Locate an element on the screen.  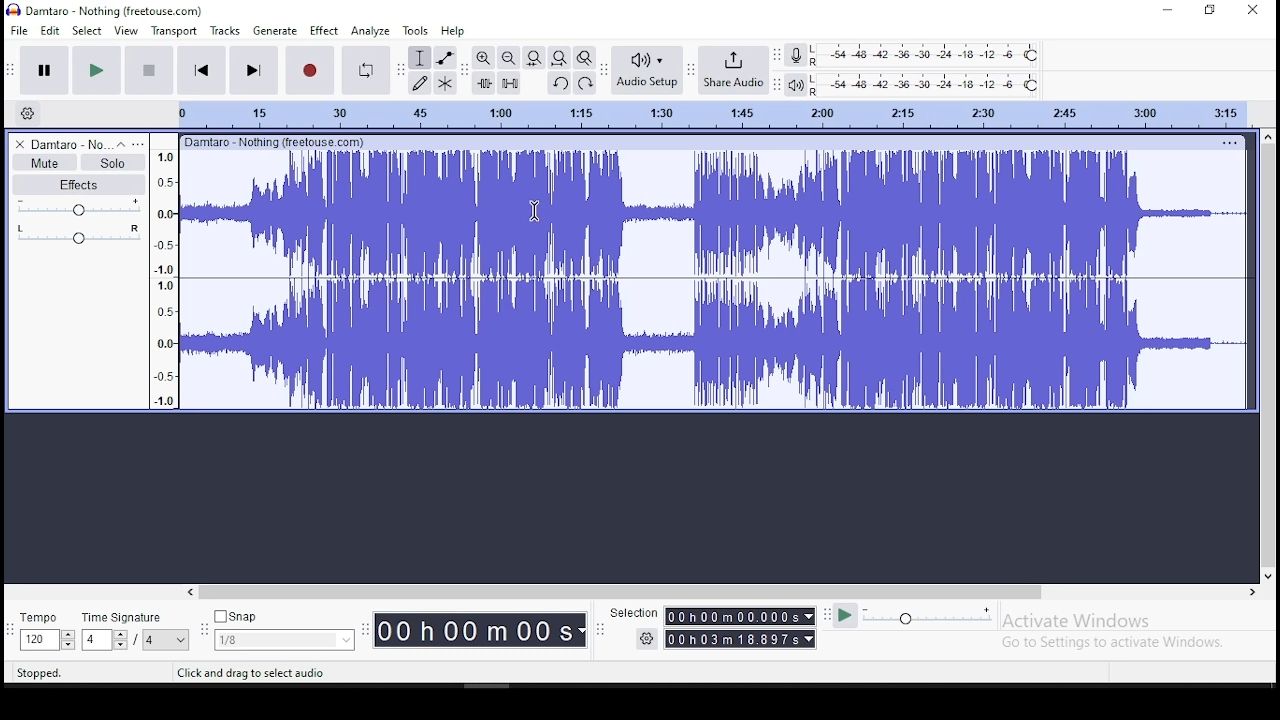
close window is located at coordinates (1255, 11).